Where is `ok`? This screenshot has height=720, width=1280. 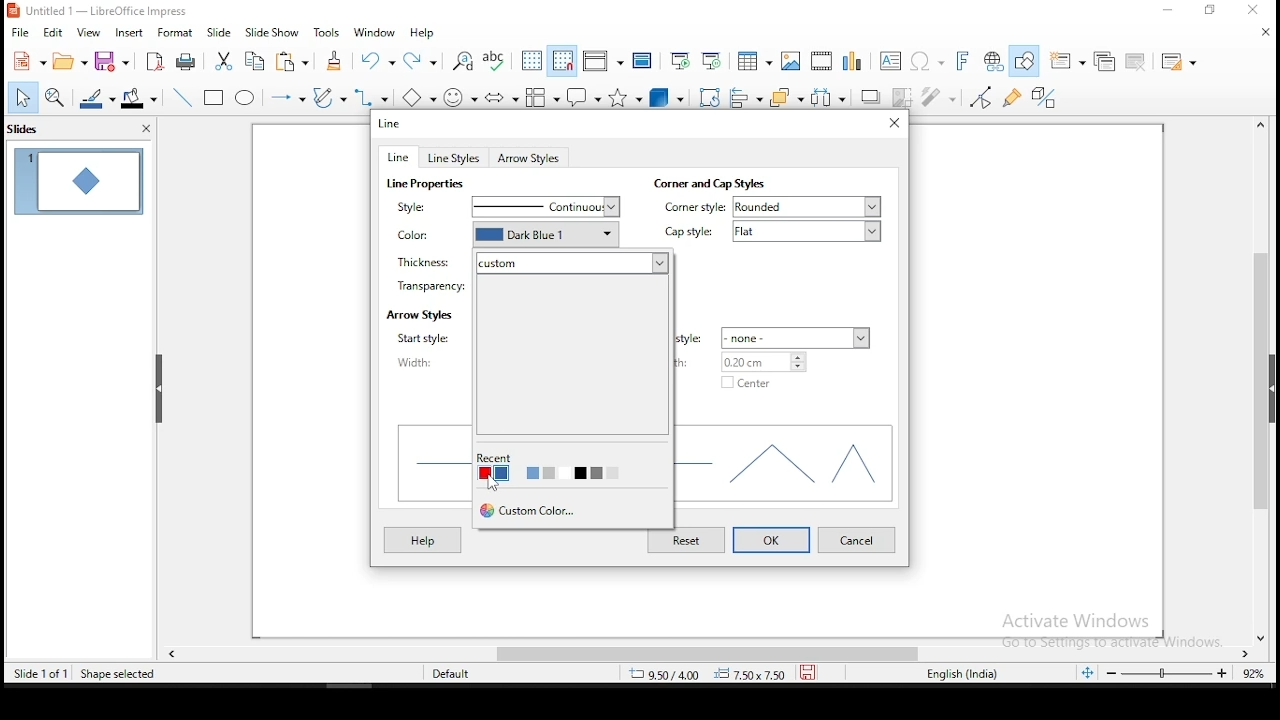
ok is located at coordinates (771, 540).